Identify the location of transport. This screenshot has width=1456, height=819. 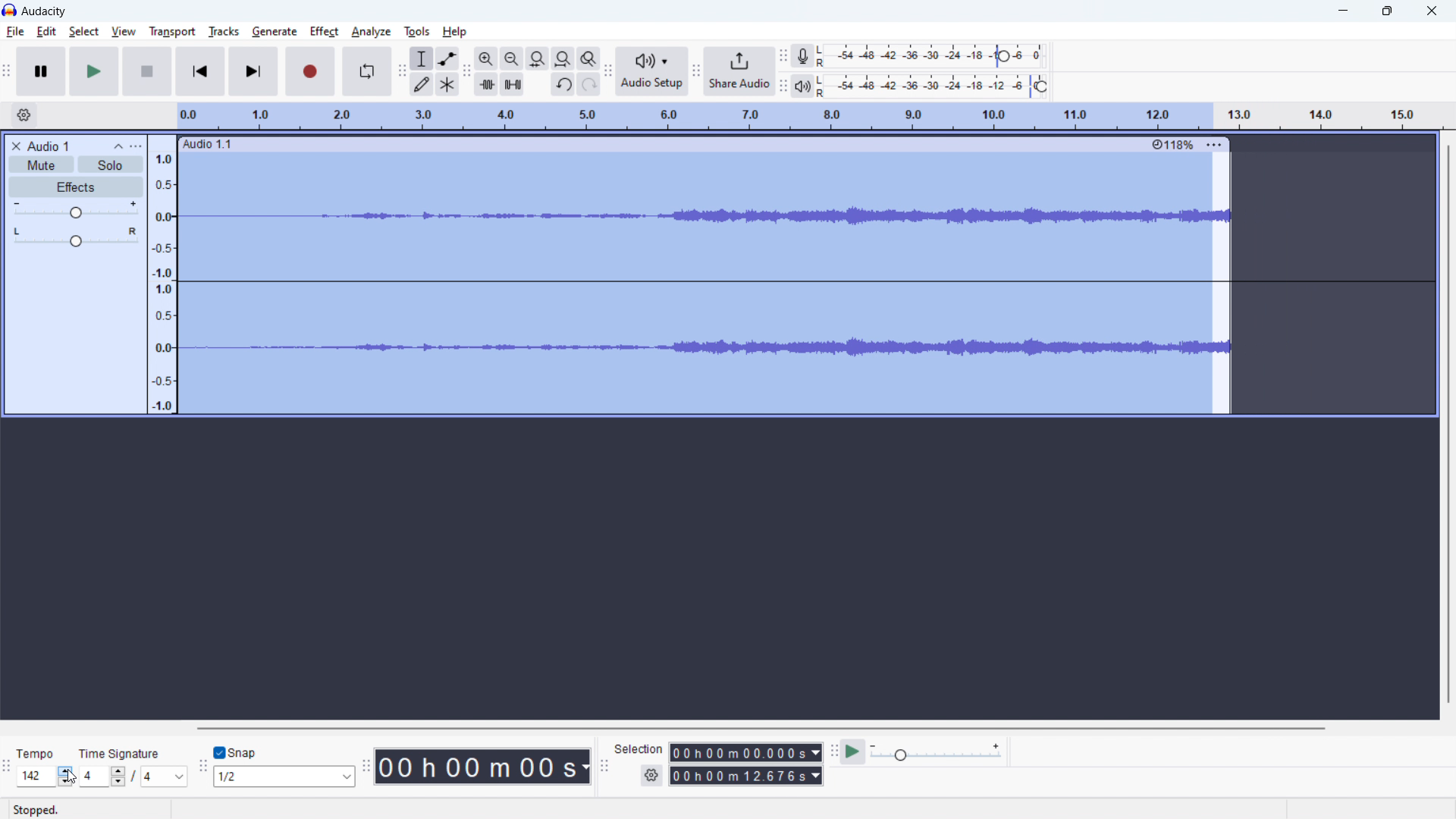
(171, 31).